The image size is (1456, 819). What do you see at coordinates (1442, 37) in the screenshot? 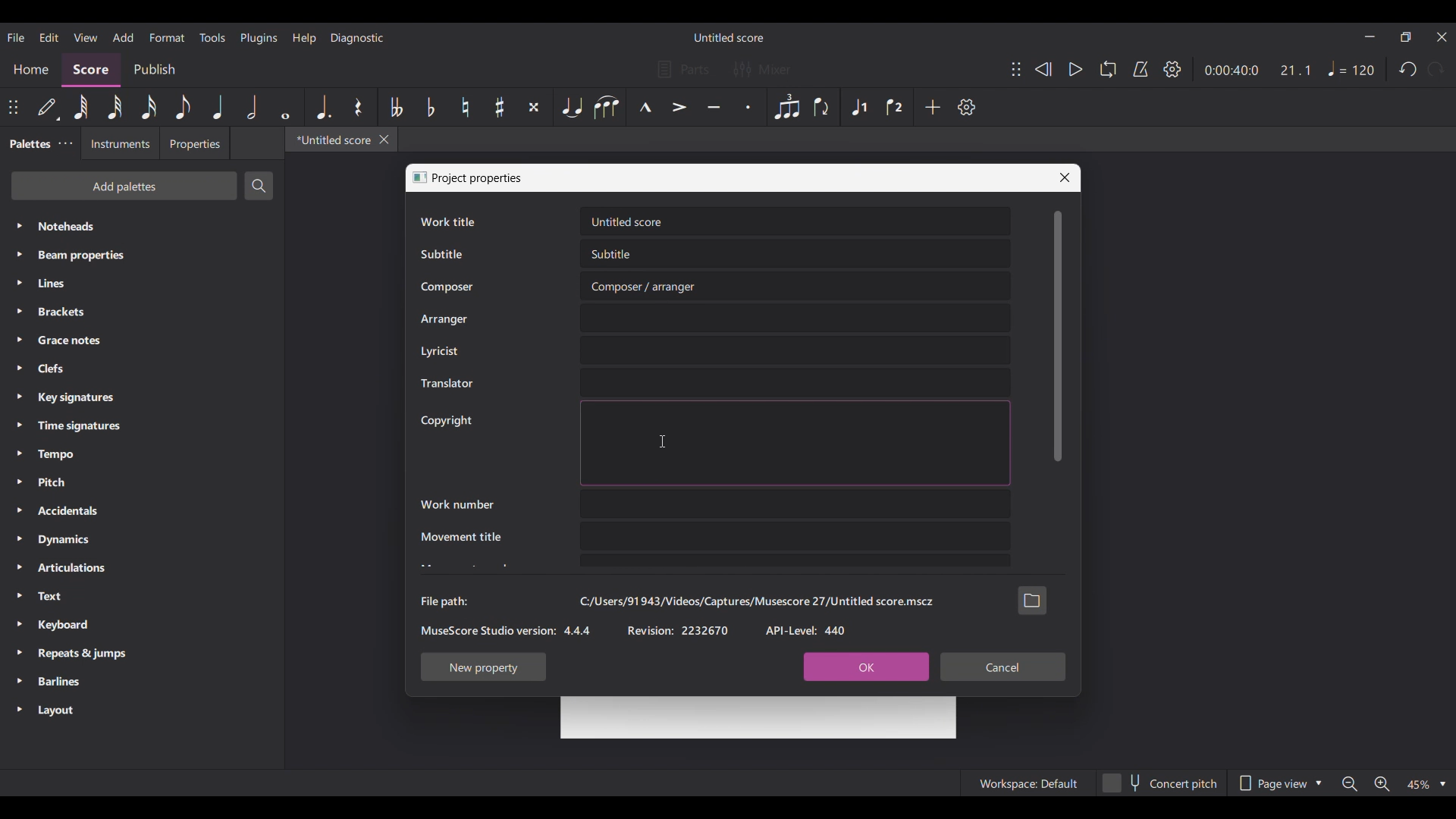
I see `Close interface` at bounding box center [1442, 37].